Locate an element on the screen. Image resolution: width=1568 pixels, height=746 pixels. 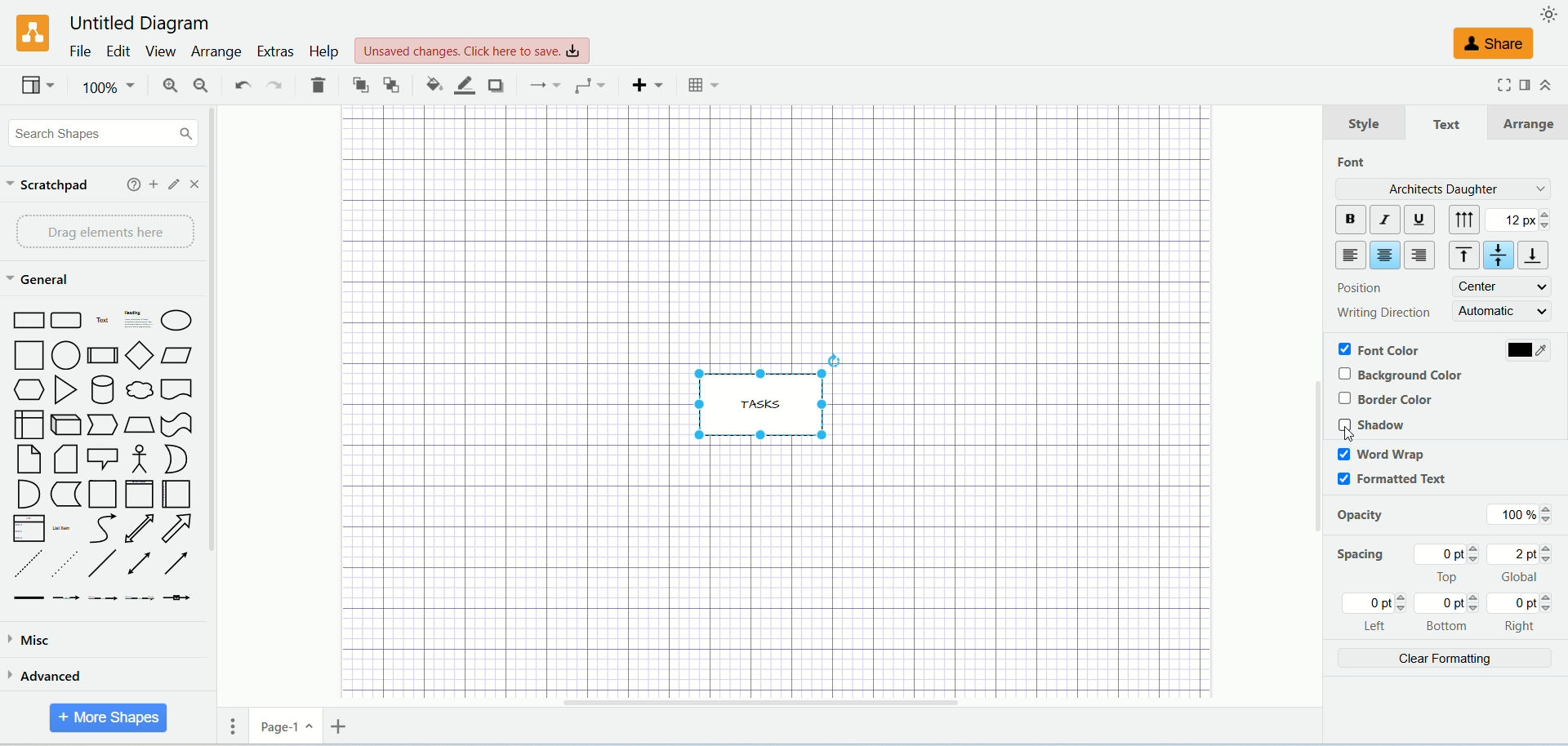
opacity is located at coordinates (1365, 517).